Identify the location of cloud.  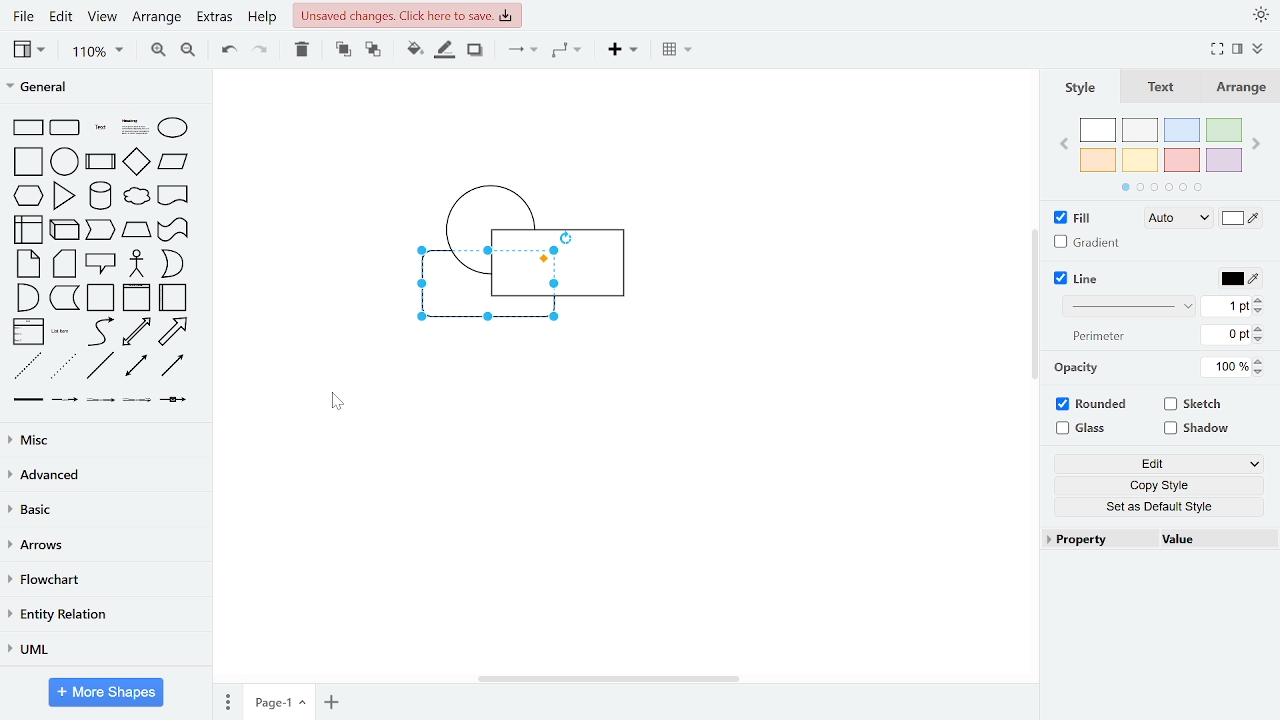
(138, 197).